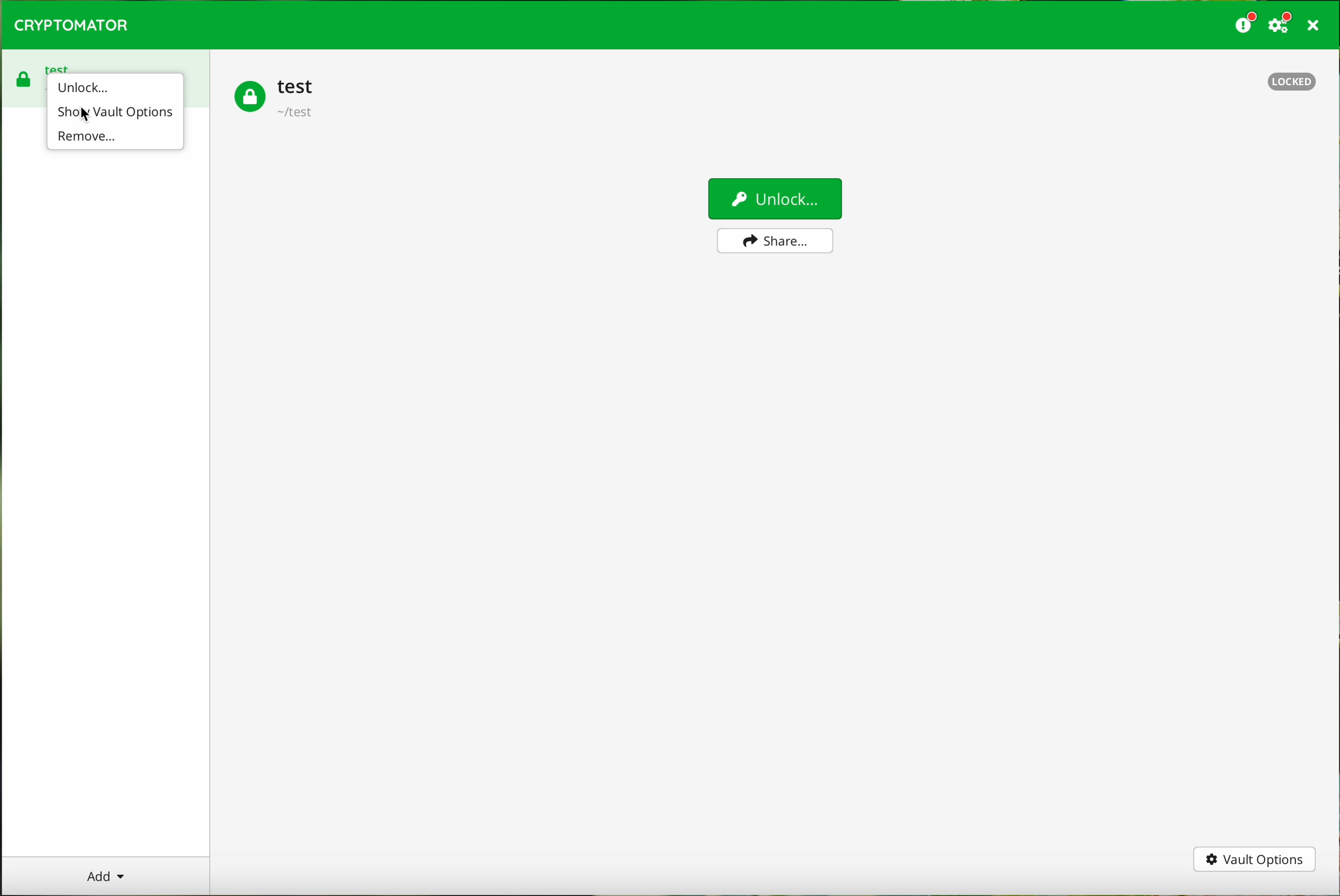 The image size is (1340, 896). Describe the element at coordinates (775, 201) in the screenshot. I see `unlock` at that location.